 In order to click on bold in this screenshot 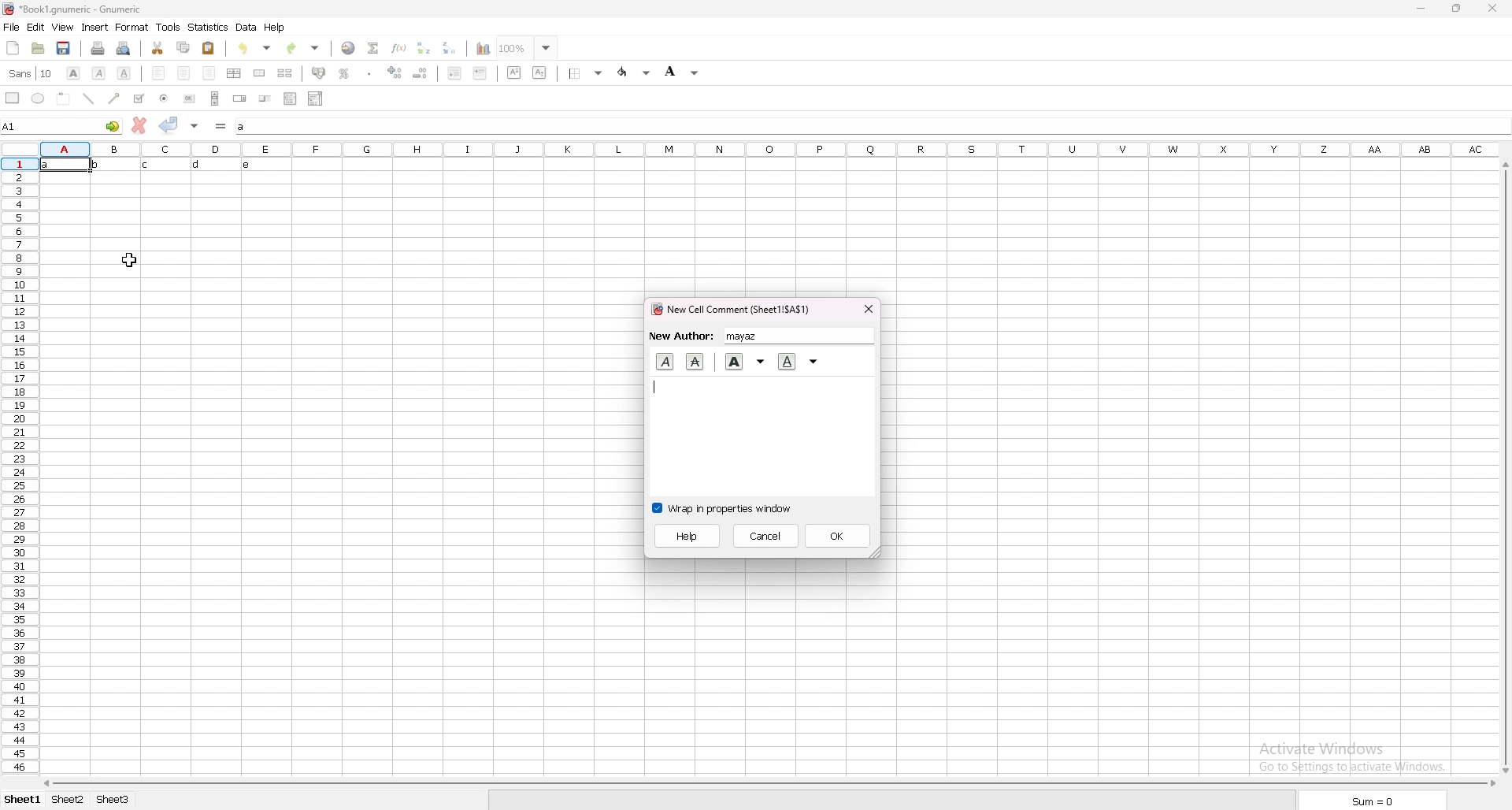, I will do `click(75, 73)`.